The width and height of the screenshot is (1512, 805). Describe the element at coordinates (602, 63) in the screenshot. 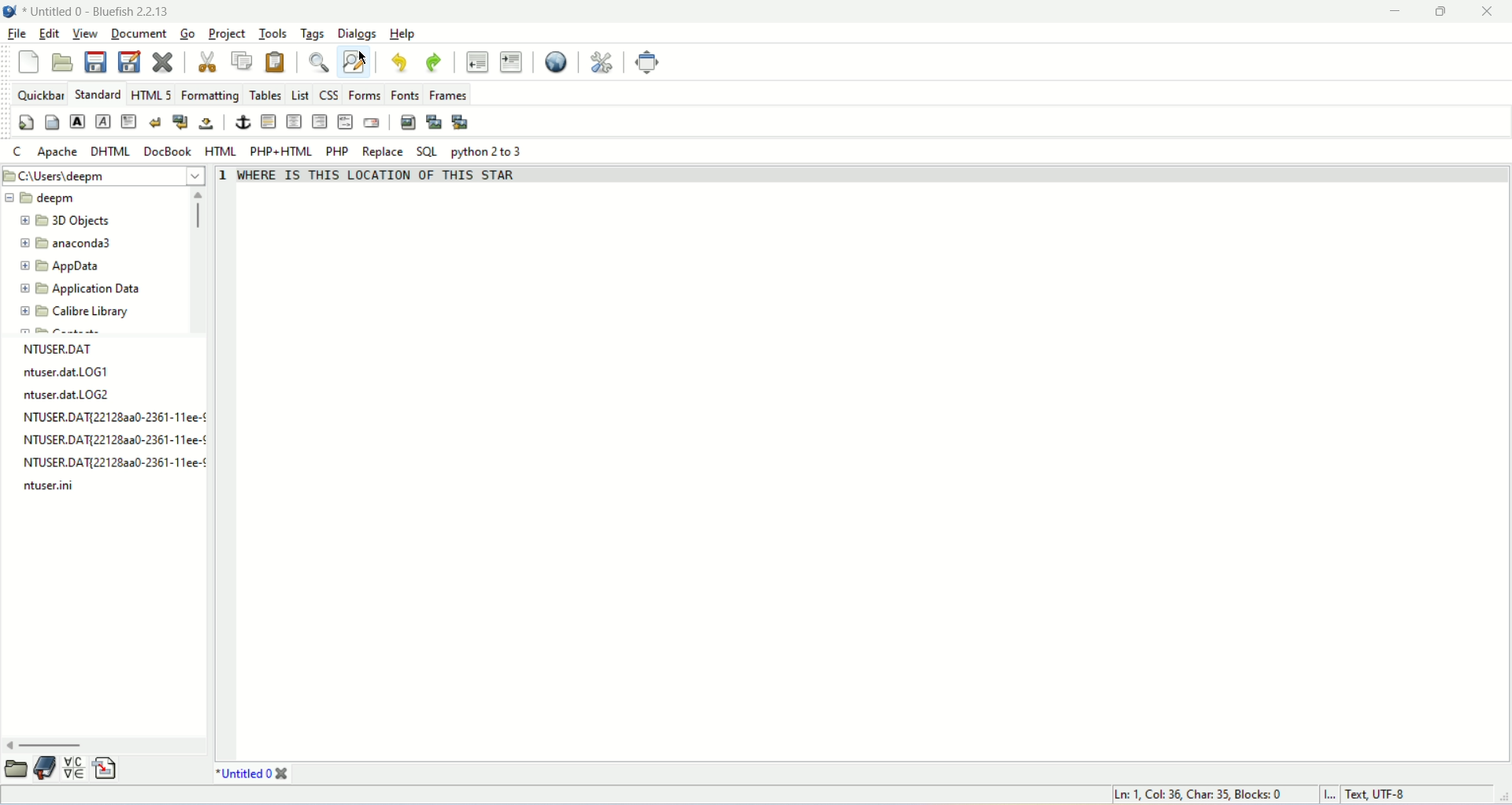

I see `preferences` at that location.